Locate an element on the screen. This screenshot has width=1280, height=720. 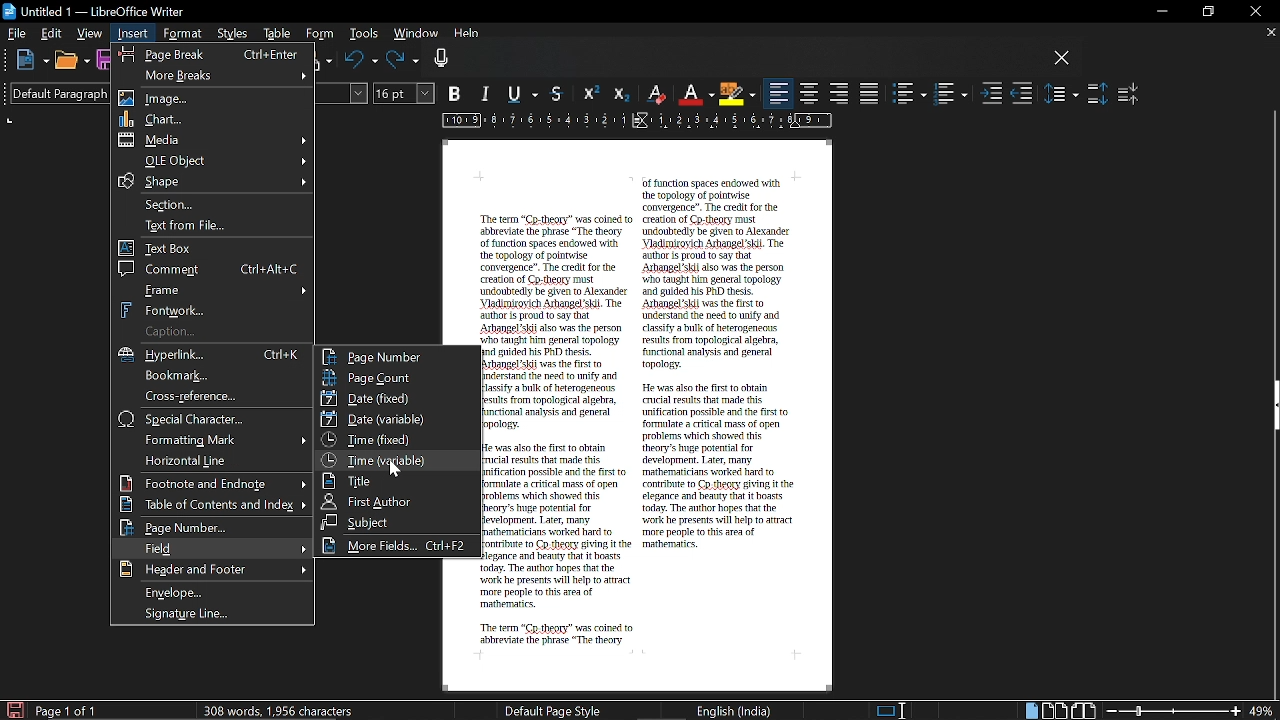
BOld is located at coordinates (457, 93).